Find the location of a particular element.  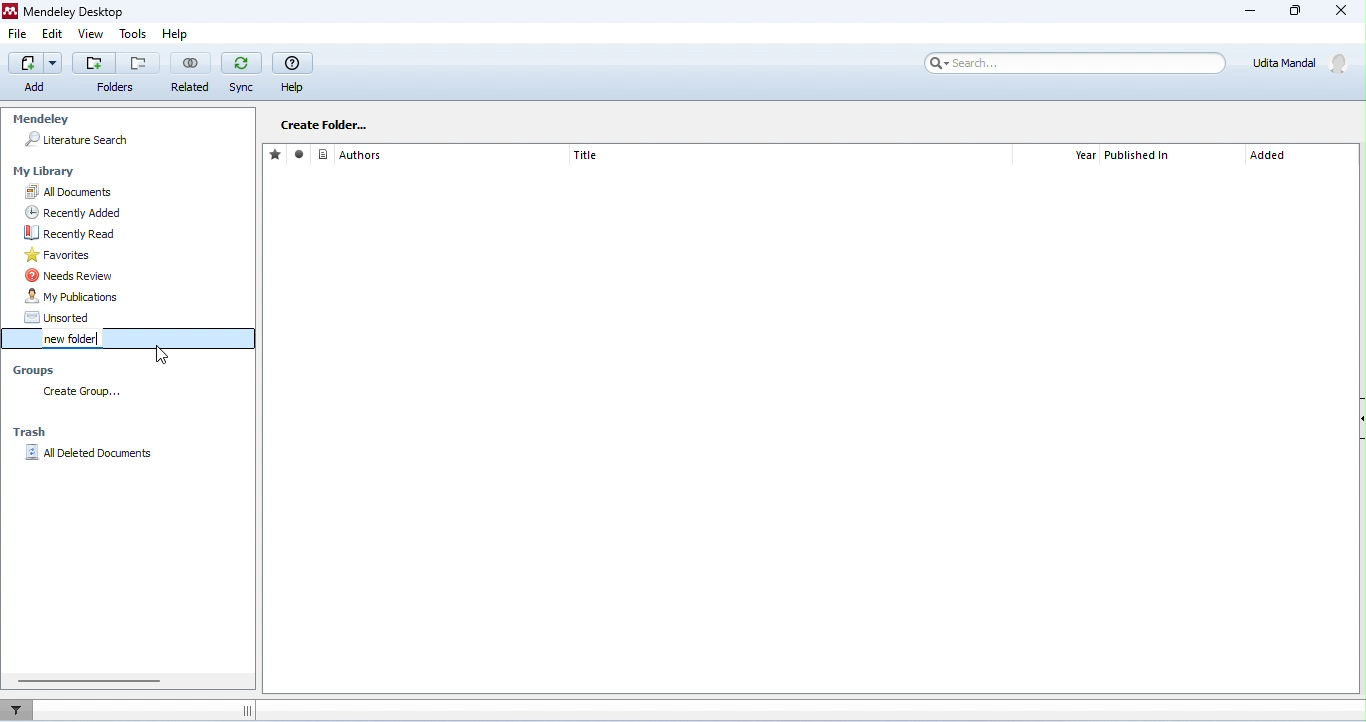

maximize is located at coordinates (1293, 11).